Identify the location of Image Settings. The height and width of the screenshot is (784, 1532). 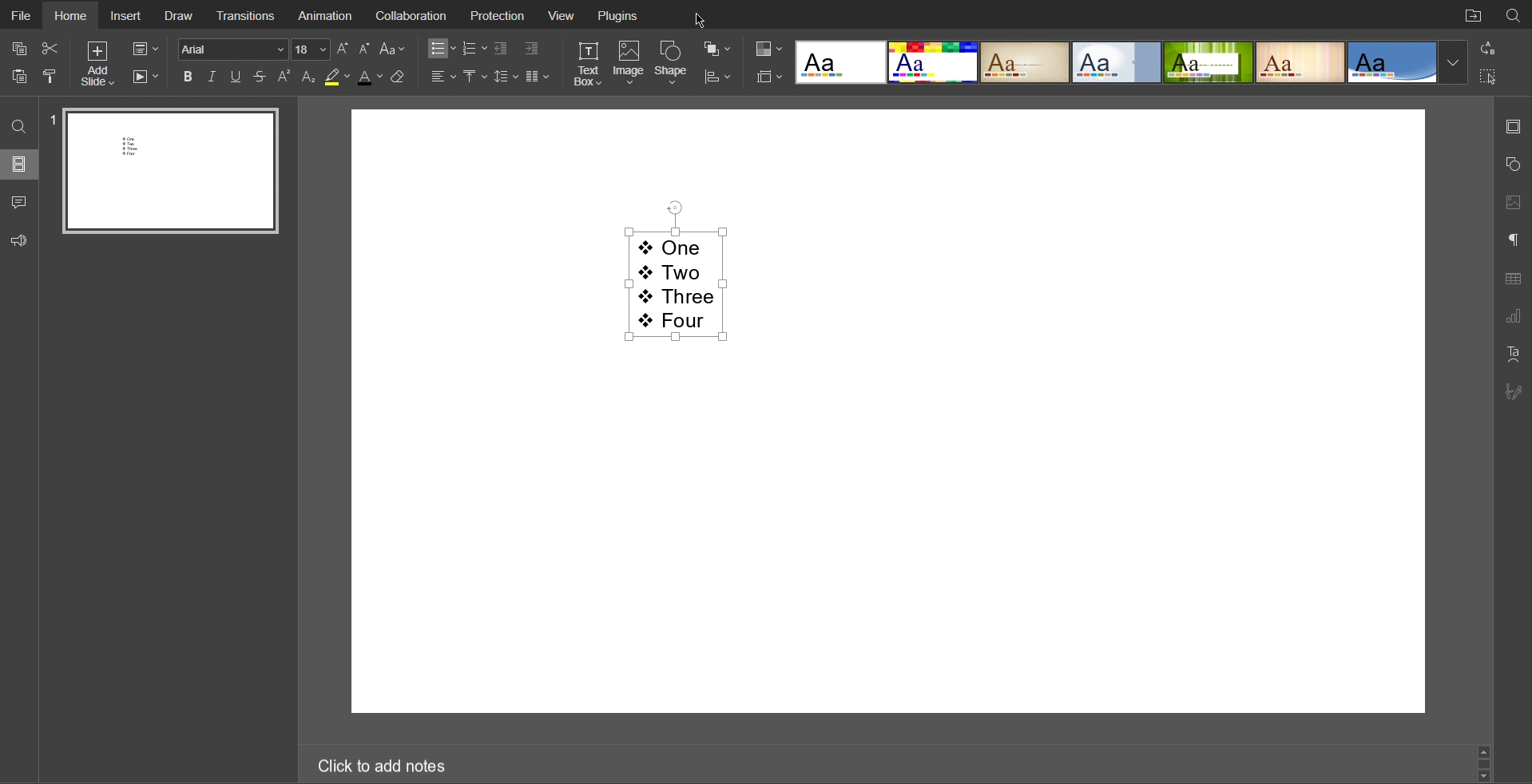
(1511, 202).